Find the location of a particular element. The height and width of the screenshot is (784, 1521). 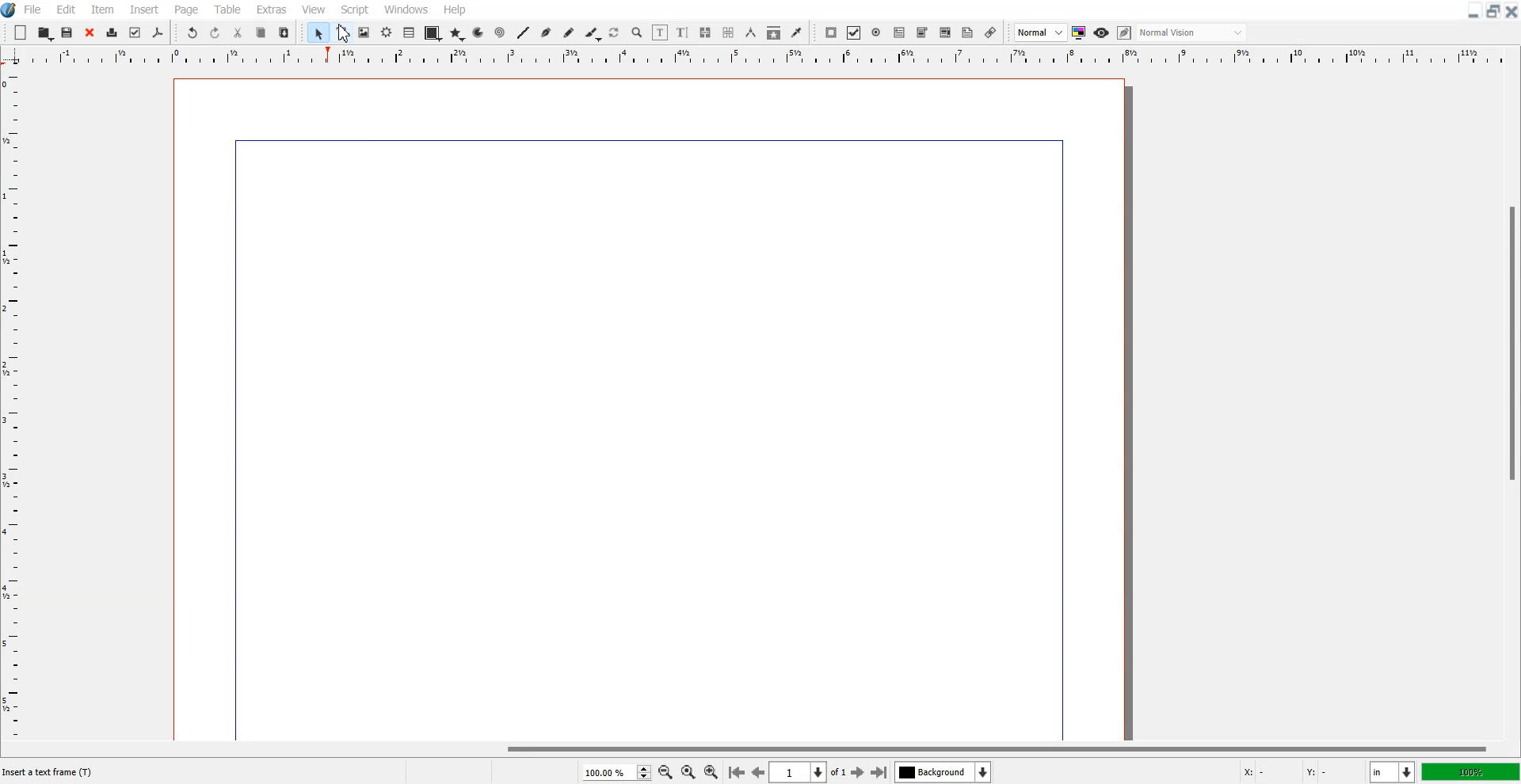

Copy  is located at coordinates (261, 33).